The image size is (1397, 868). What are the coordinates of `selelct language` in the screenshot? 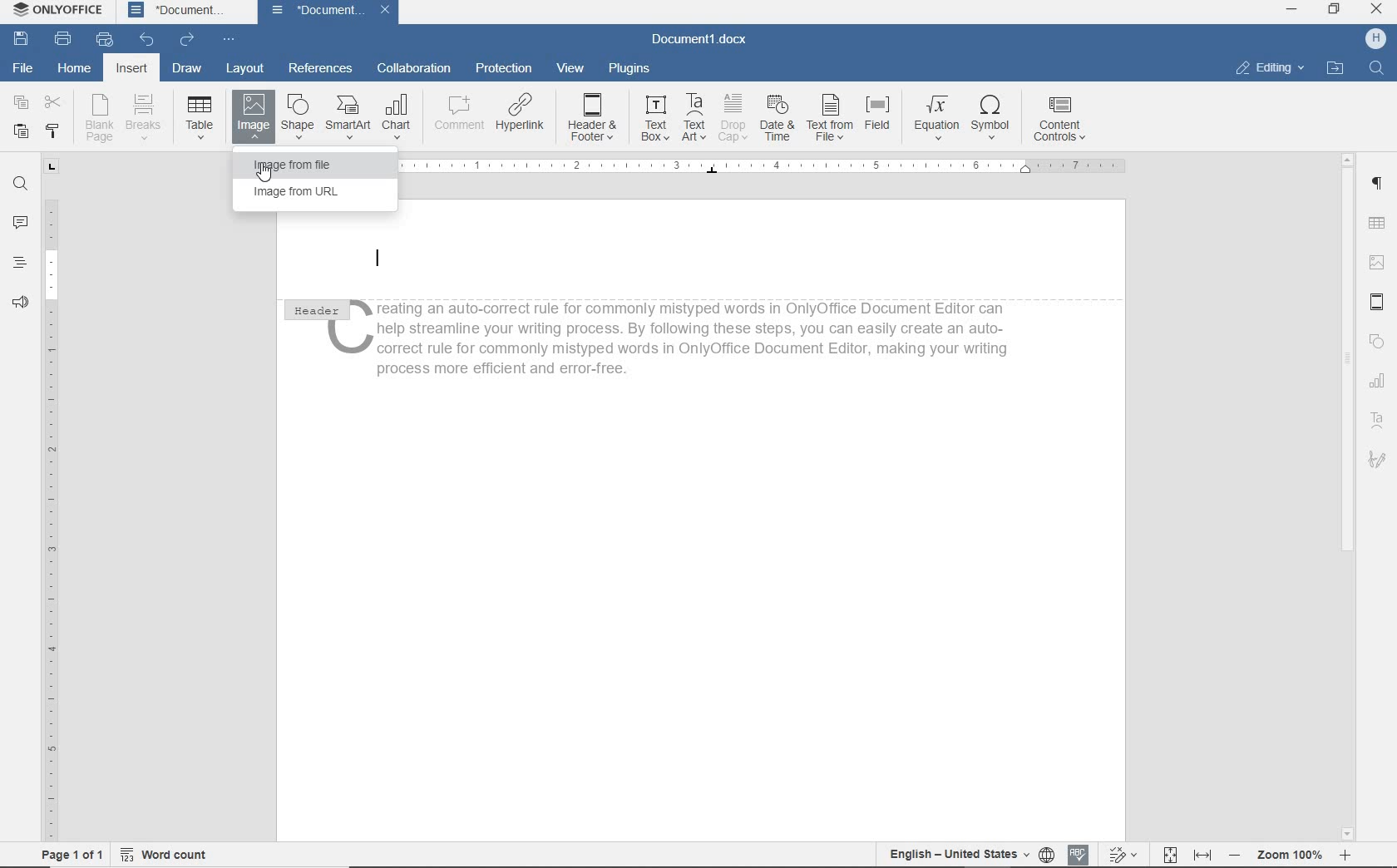 It's located at (1048, 855).